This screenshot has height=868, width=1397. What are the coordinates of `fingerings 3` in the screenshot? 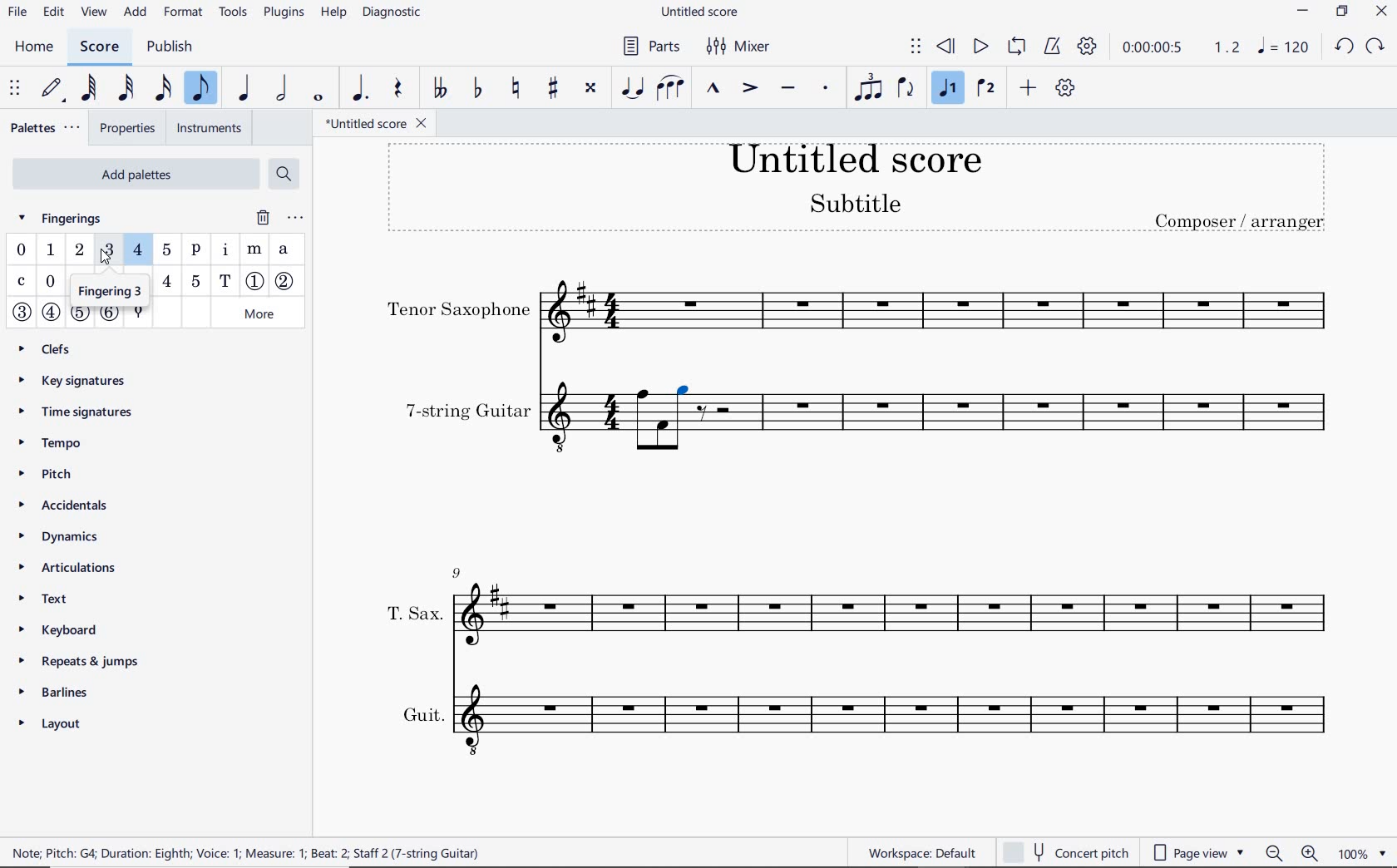 It's located at (109, 250).